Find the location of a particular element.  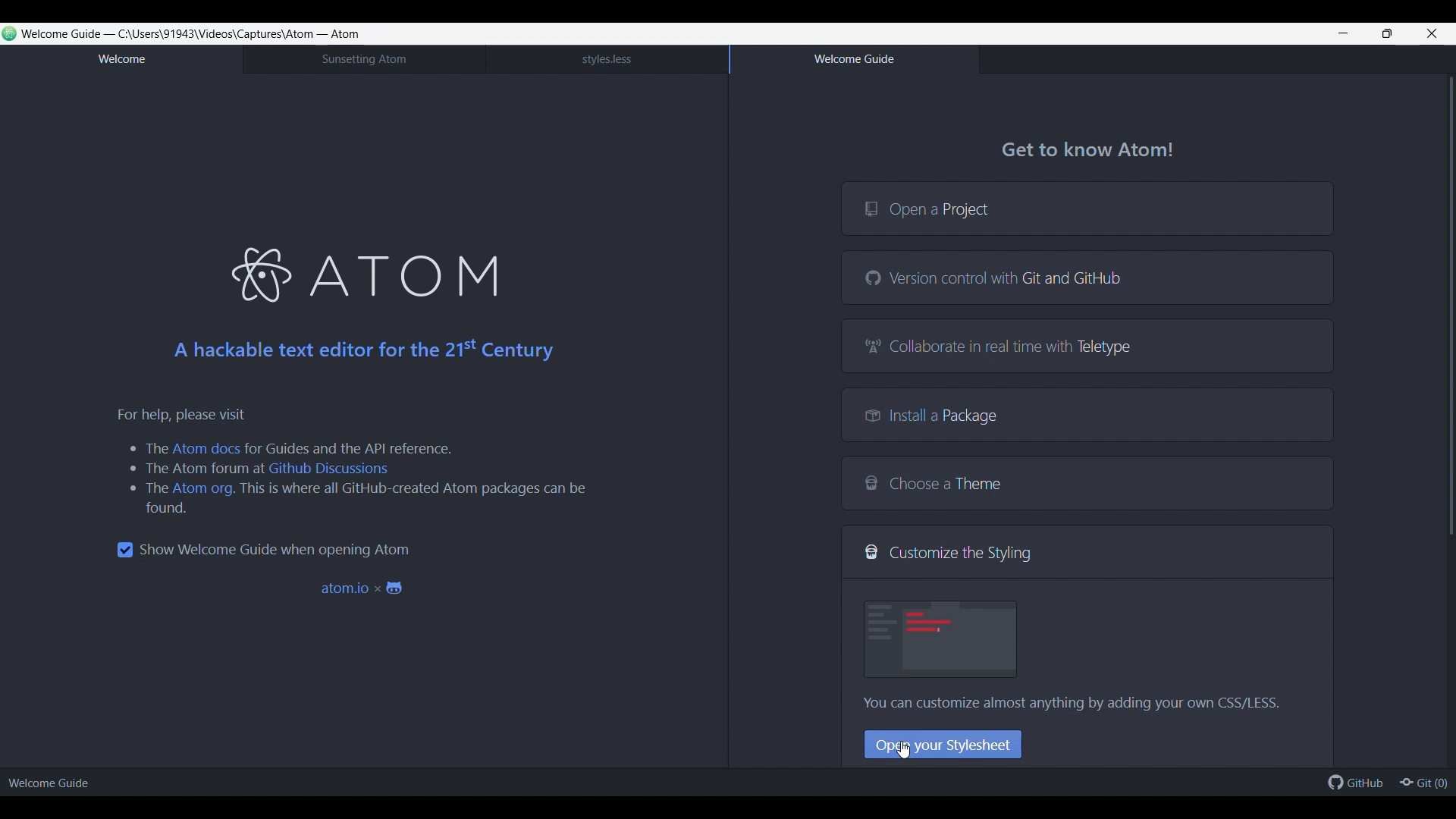

Show interface in smaller tab is located at coordinates (1387, 33).